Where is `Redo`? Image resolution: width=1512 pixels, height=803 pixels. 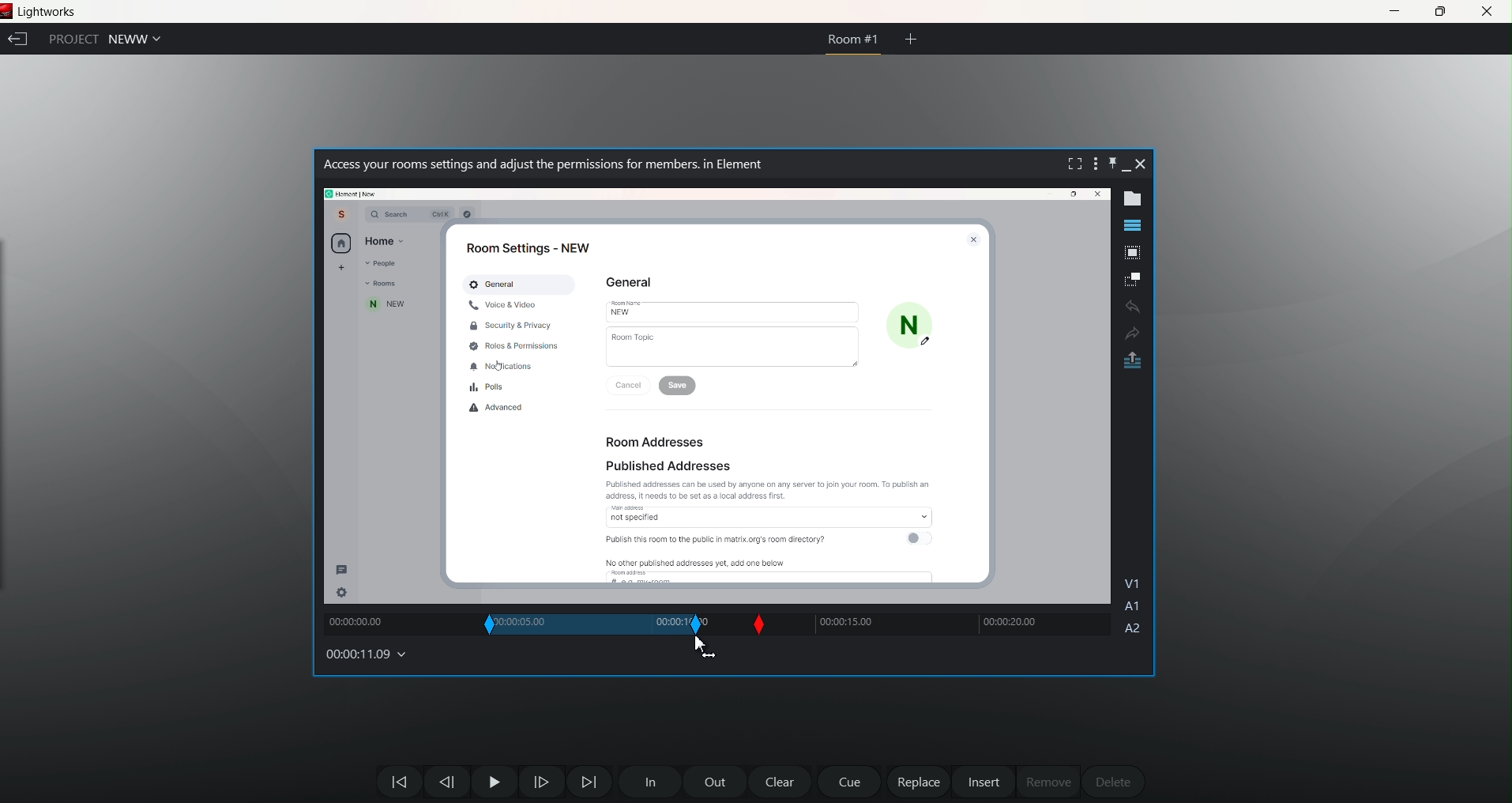 Redo is located at coordinates (1131, 333).